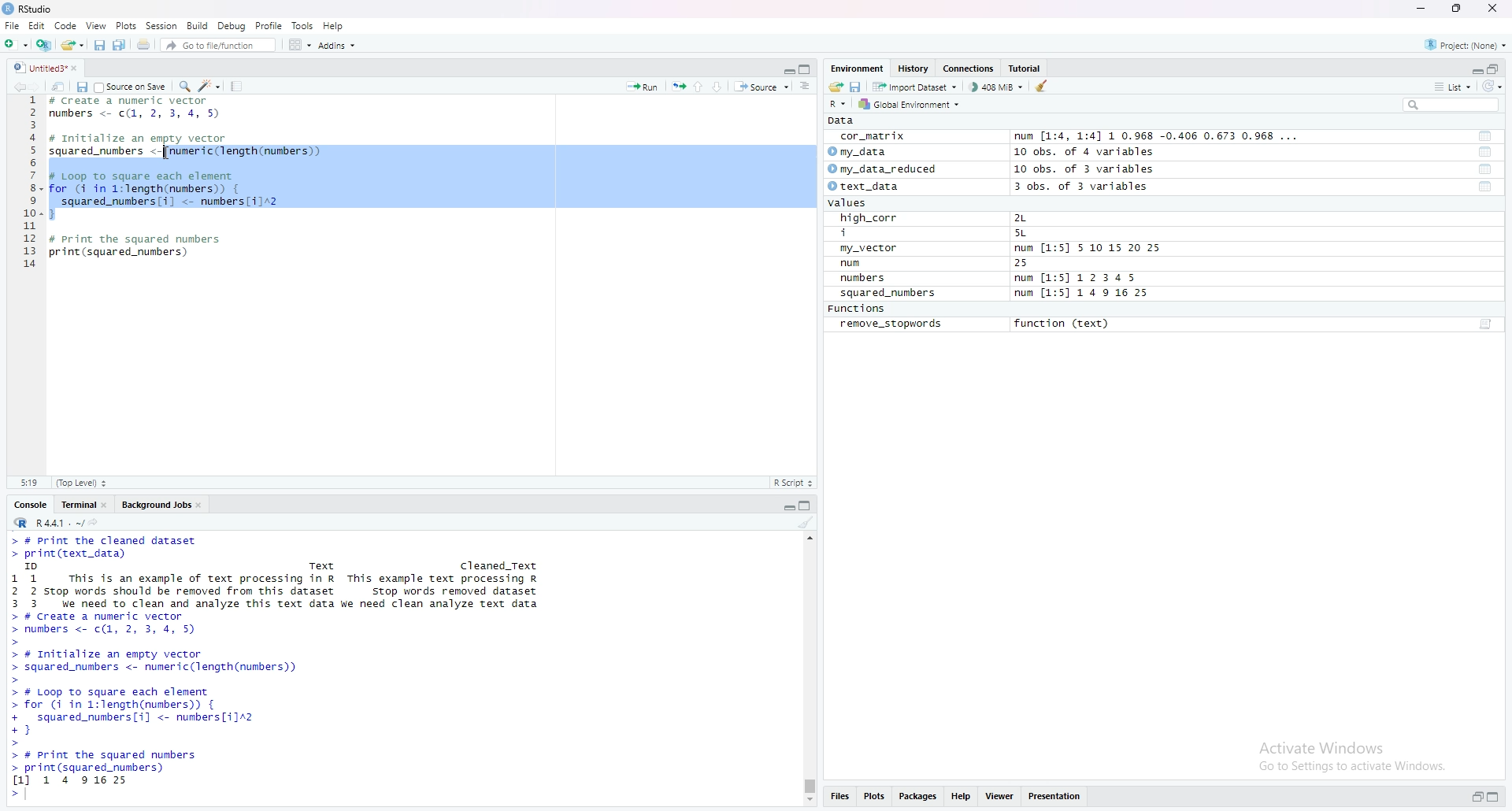 This screenshot has width=1512, height=811. Describe the element at coordinates (161, 25) in the screenshot. I see `Session` at that location.